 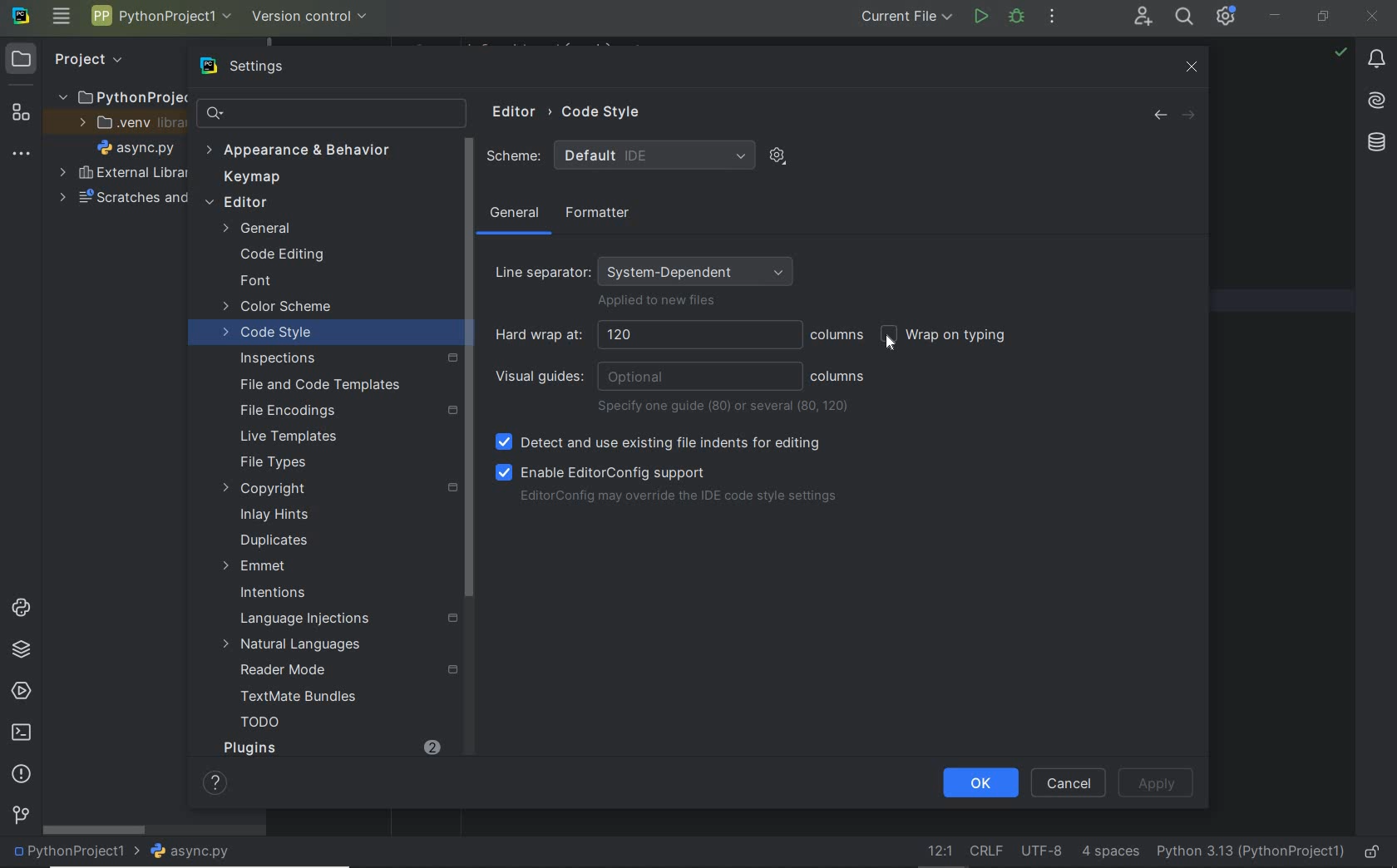 I want to click on inspections, so click(x=344, y=358).